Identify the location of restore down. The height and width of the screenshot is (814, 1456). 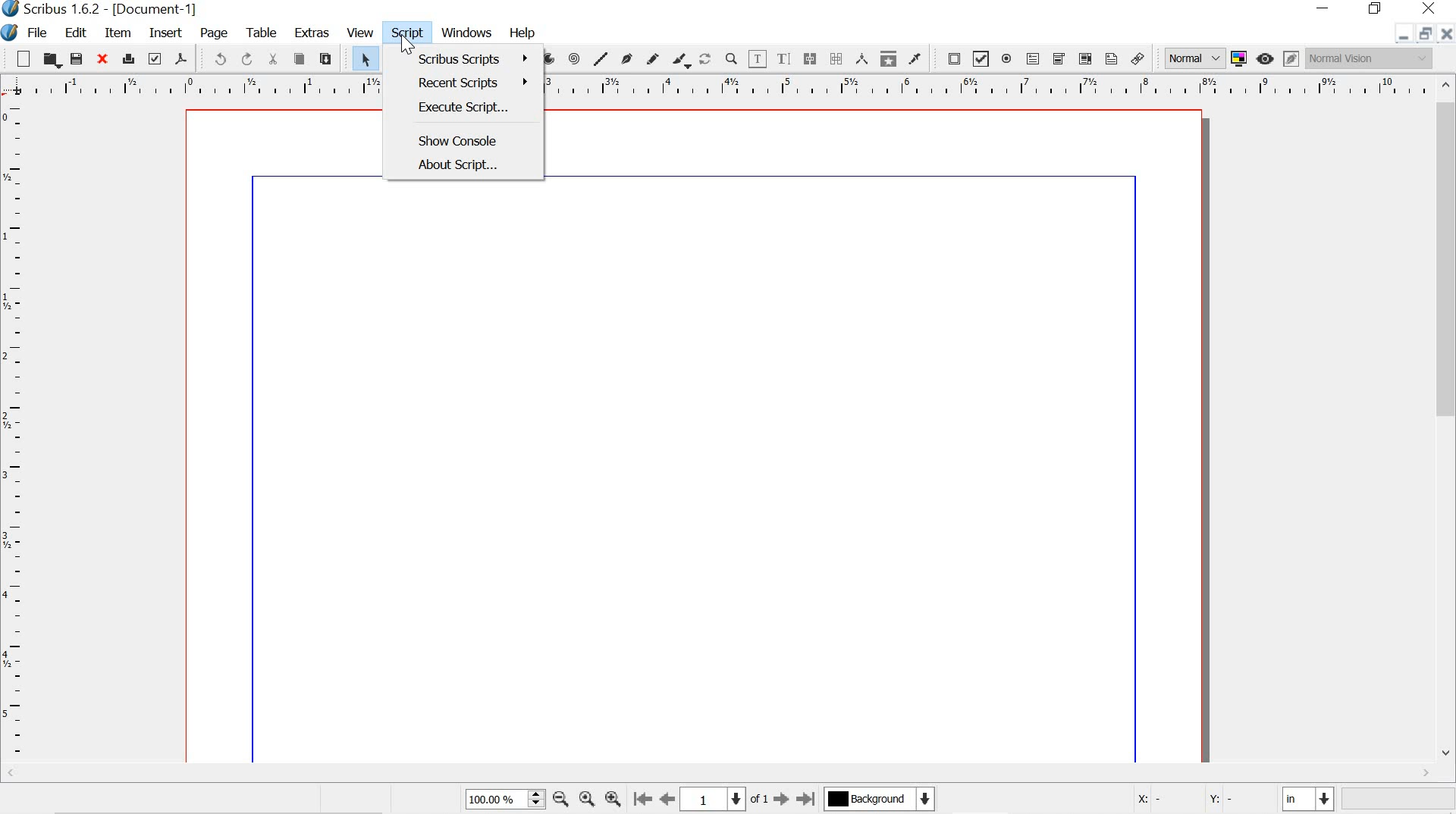
(1377, 9).